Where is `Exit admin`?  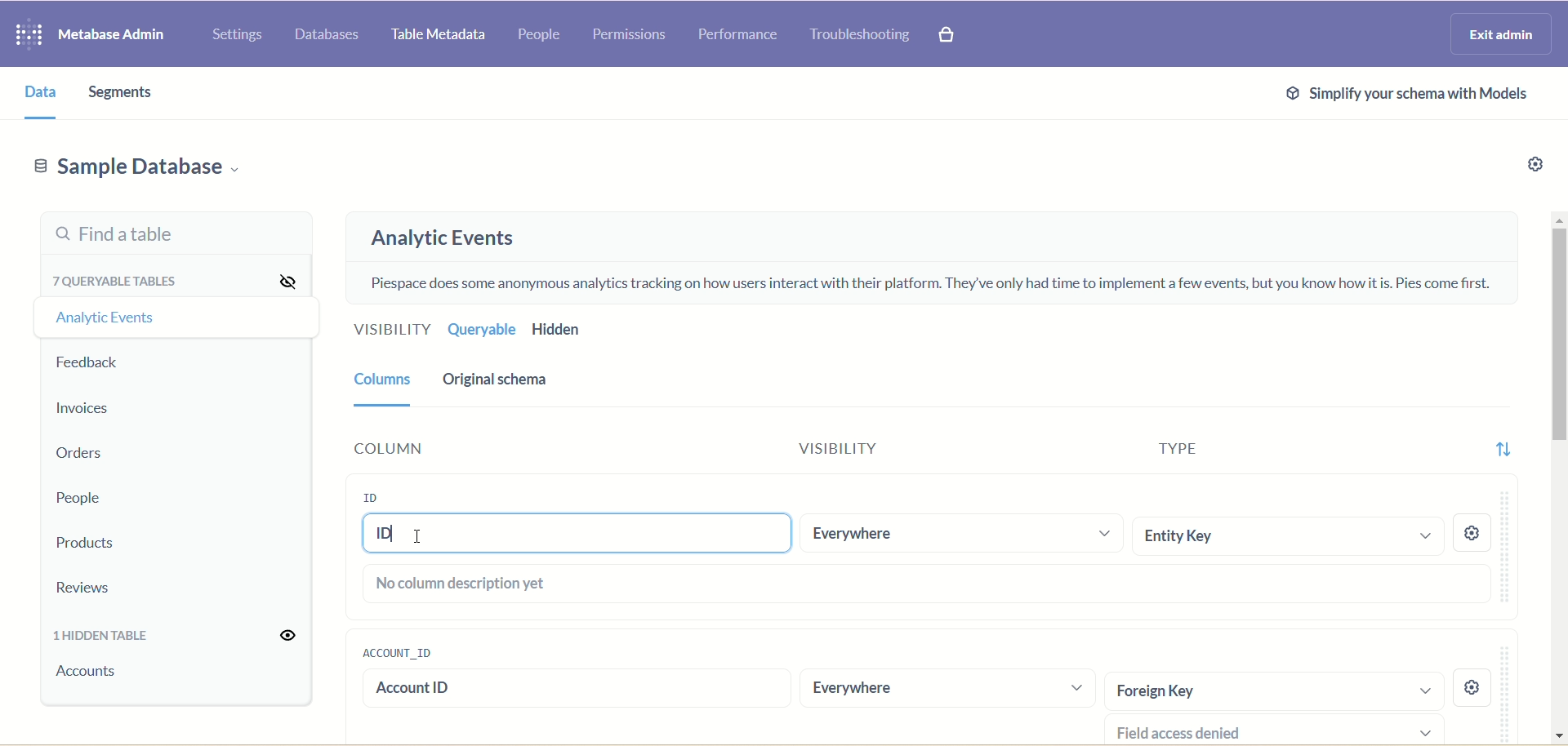
Exit admin is located at coordinates (1493, 35).